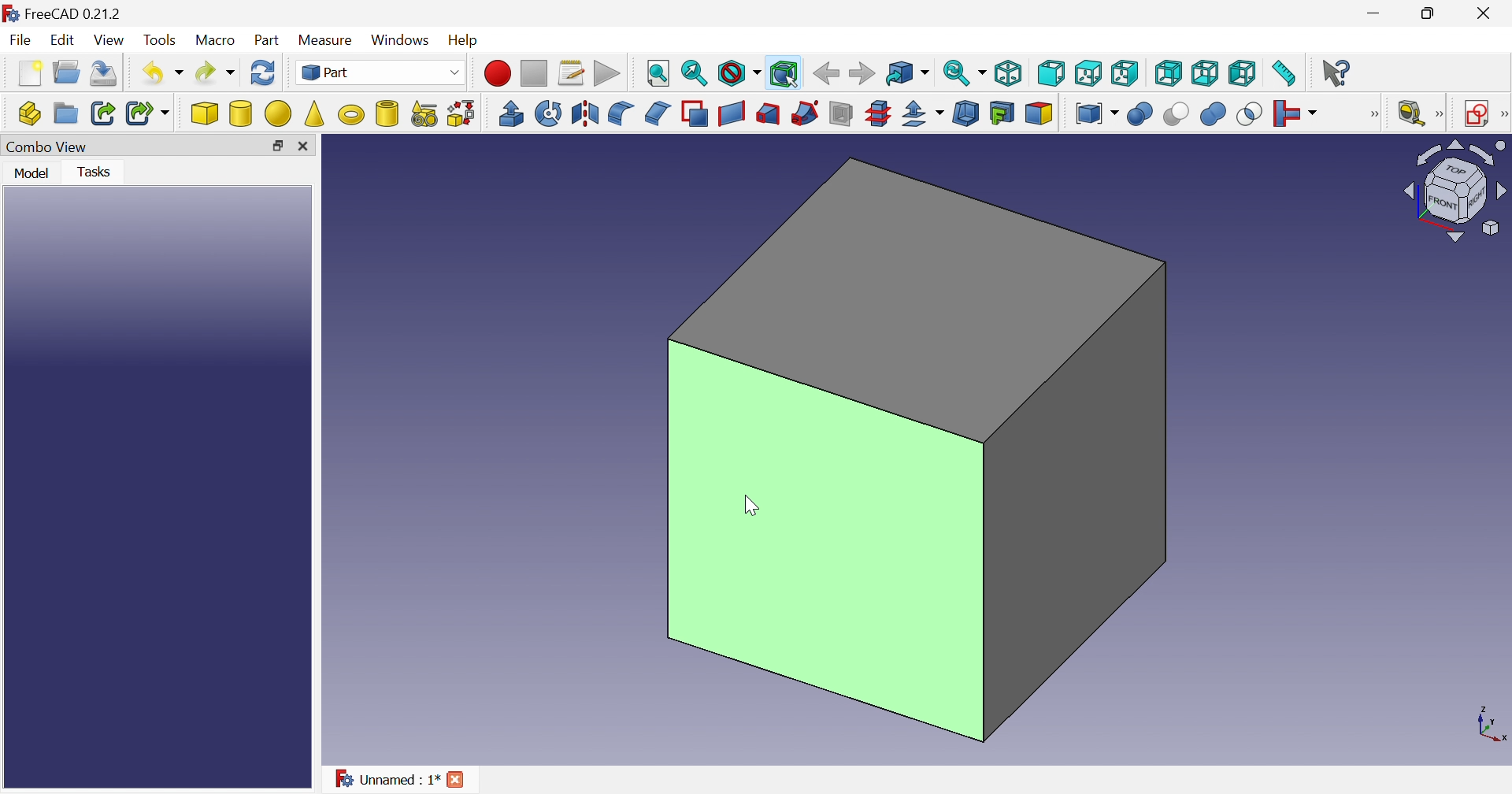 The width and height of the screenshot is (1512, 794). What do you see at coordinates (277, 149) in the screenshot?
I see `Restore down` at bounding box center [277, 149].